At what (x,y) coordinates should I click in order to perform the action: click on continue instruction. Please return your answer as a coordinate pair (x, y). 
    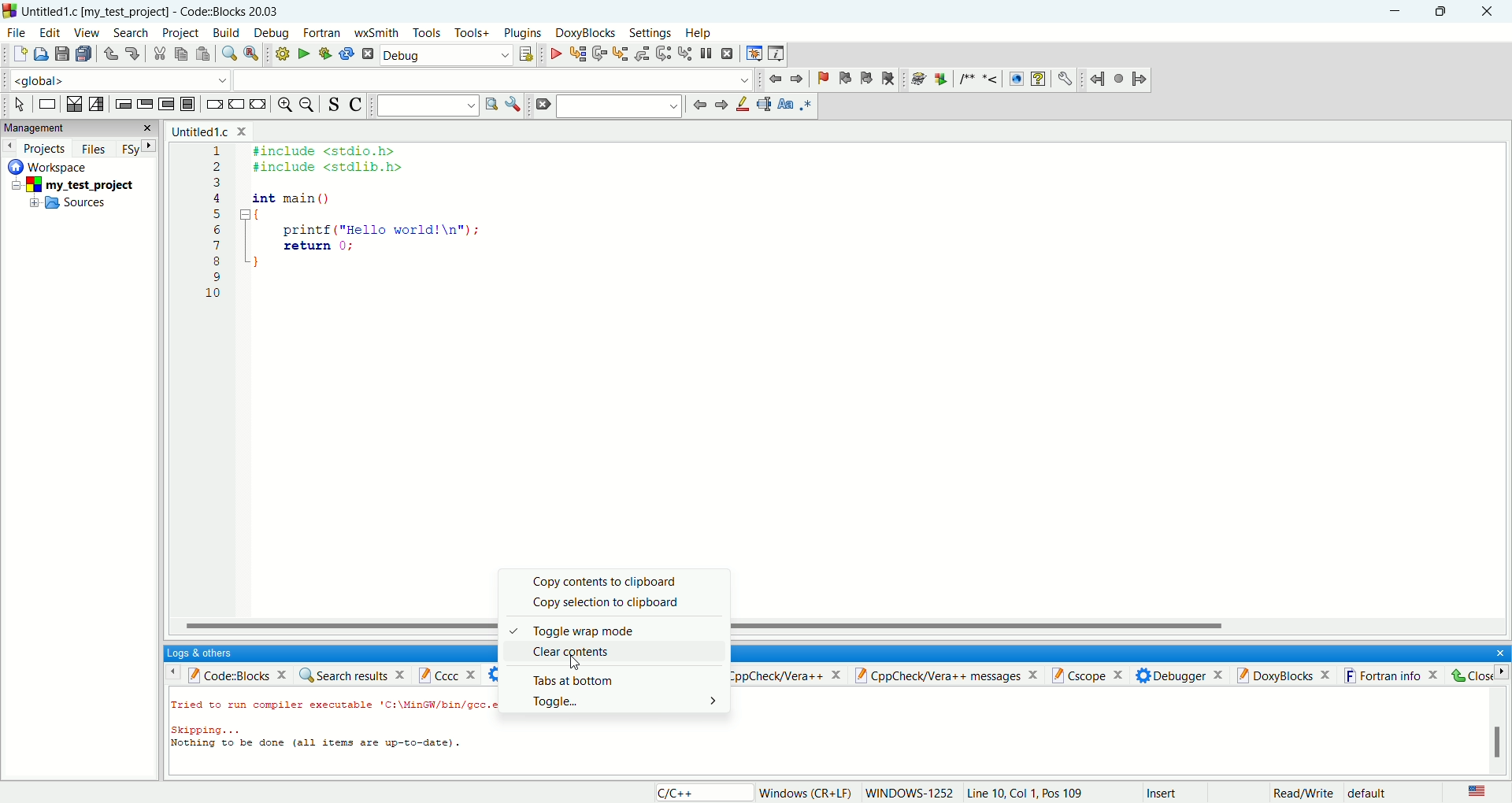
    Looking at the image, I should click on (237, 103).